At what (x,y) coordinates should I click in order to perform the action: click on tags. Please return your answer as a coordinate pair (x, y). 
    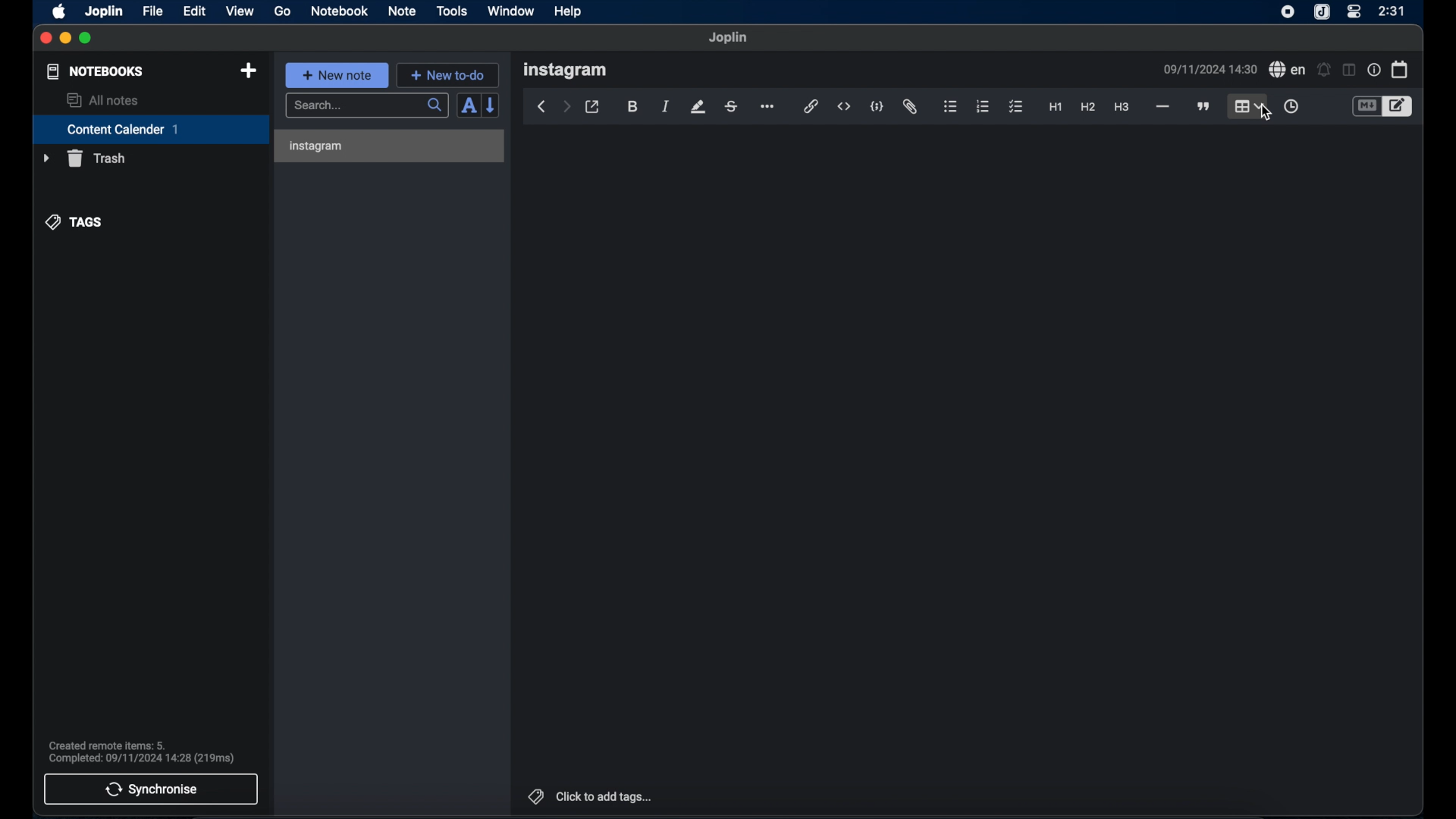
    Looking at the image, I should click on (74, 222).